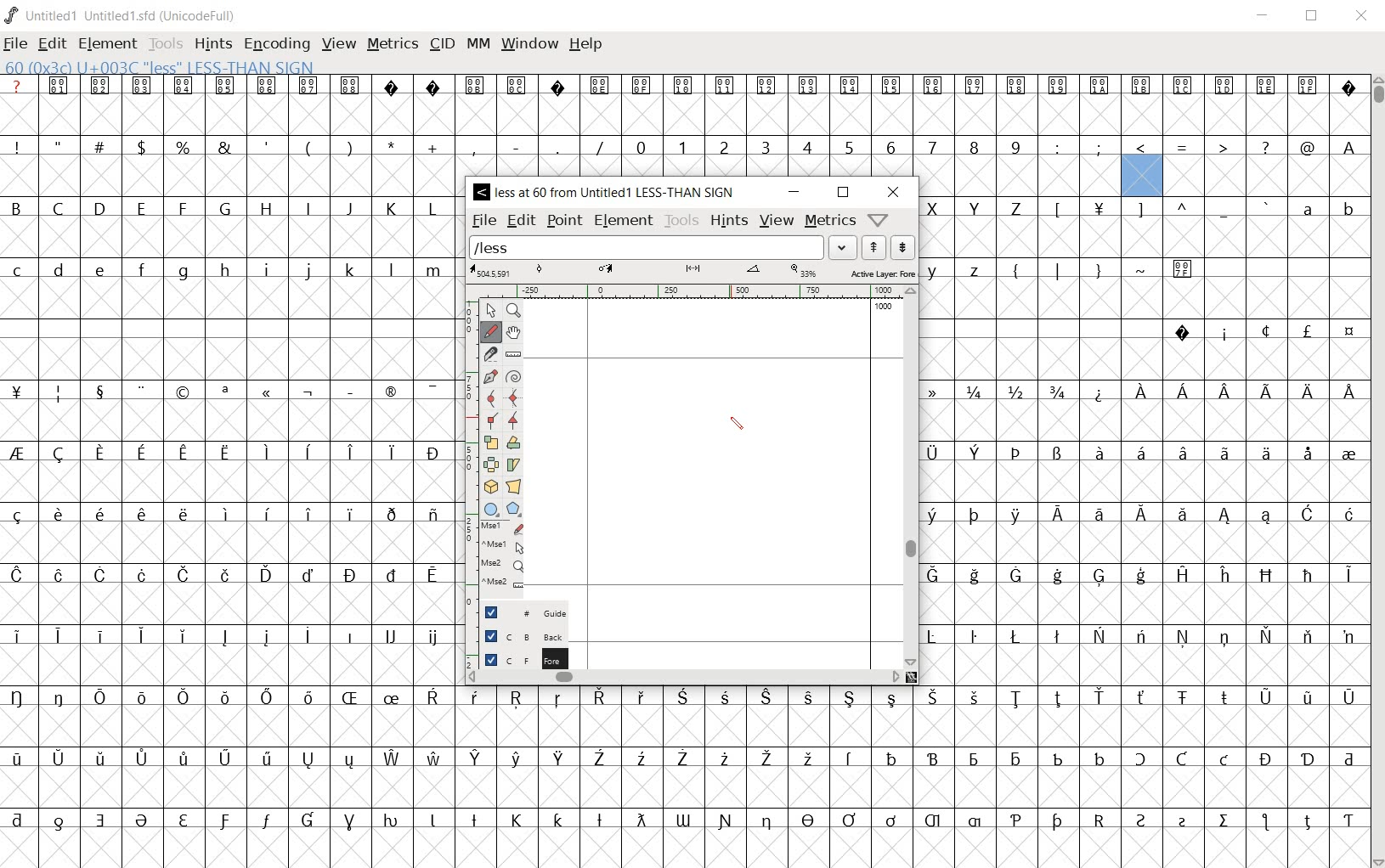  I want to click on special letters, so click(229, 512).